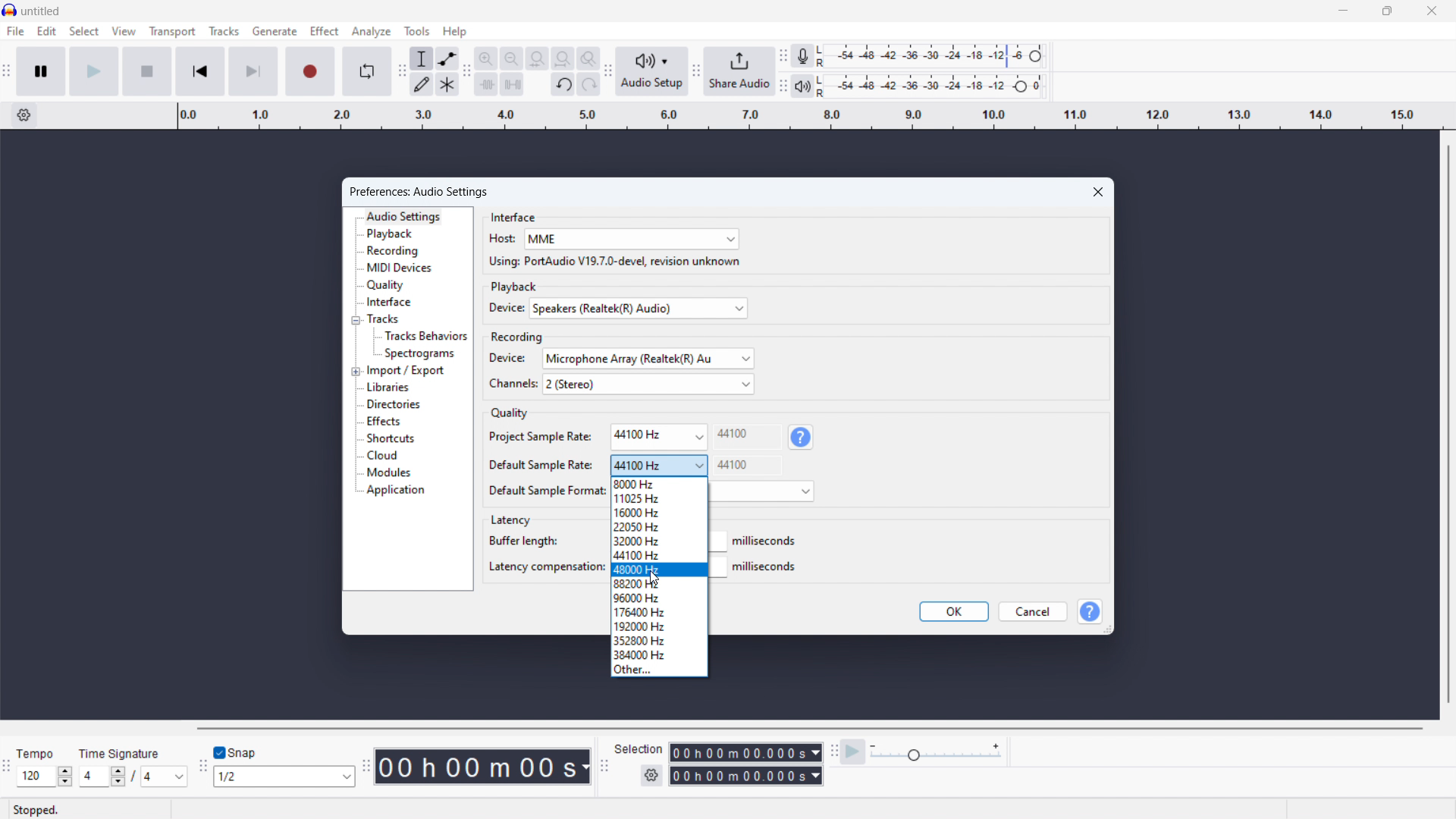  What do you see at coordinates (1091, 611) in the screenshot?
I see `help` at bounding box center [1091, 611].